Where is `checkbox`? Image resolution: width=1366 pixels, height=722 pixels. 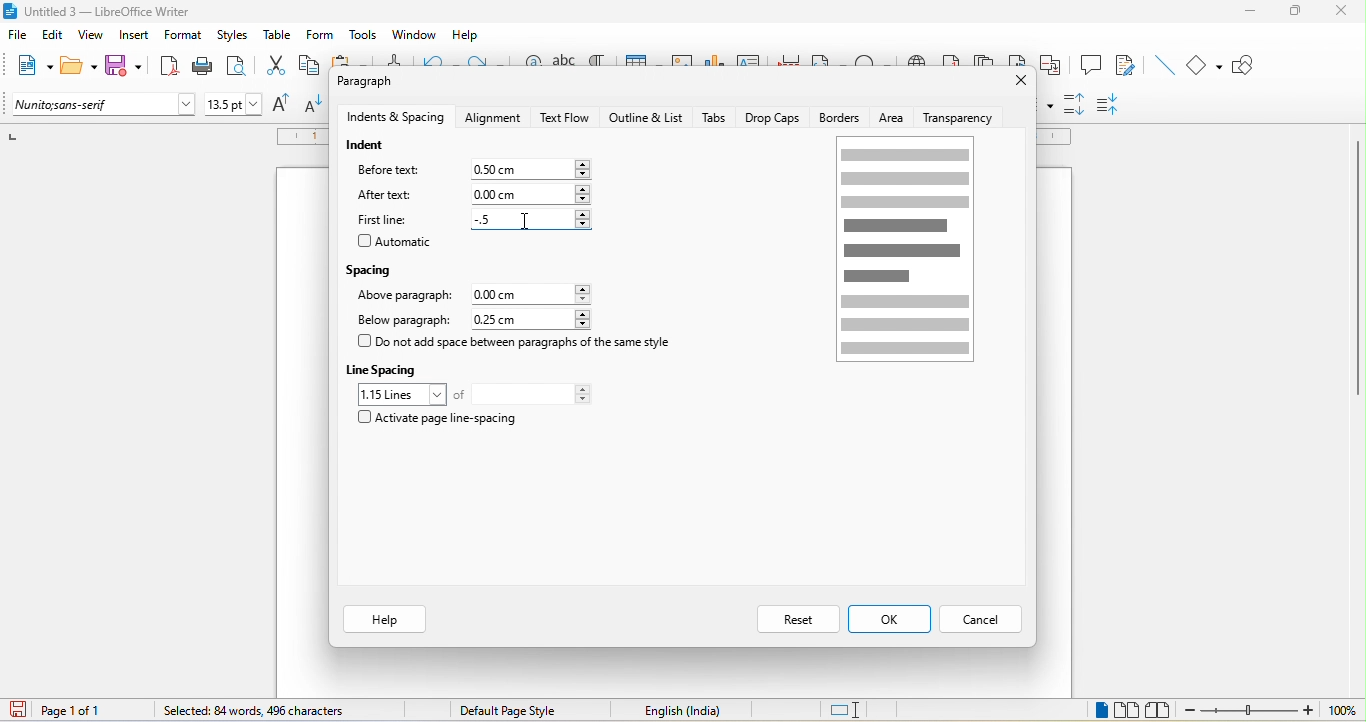 checkbox is located at coordinates (363, 341).